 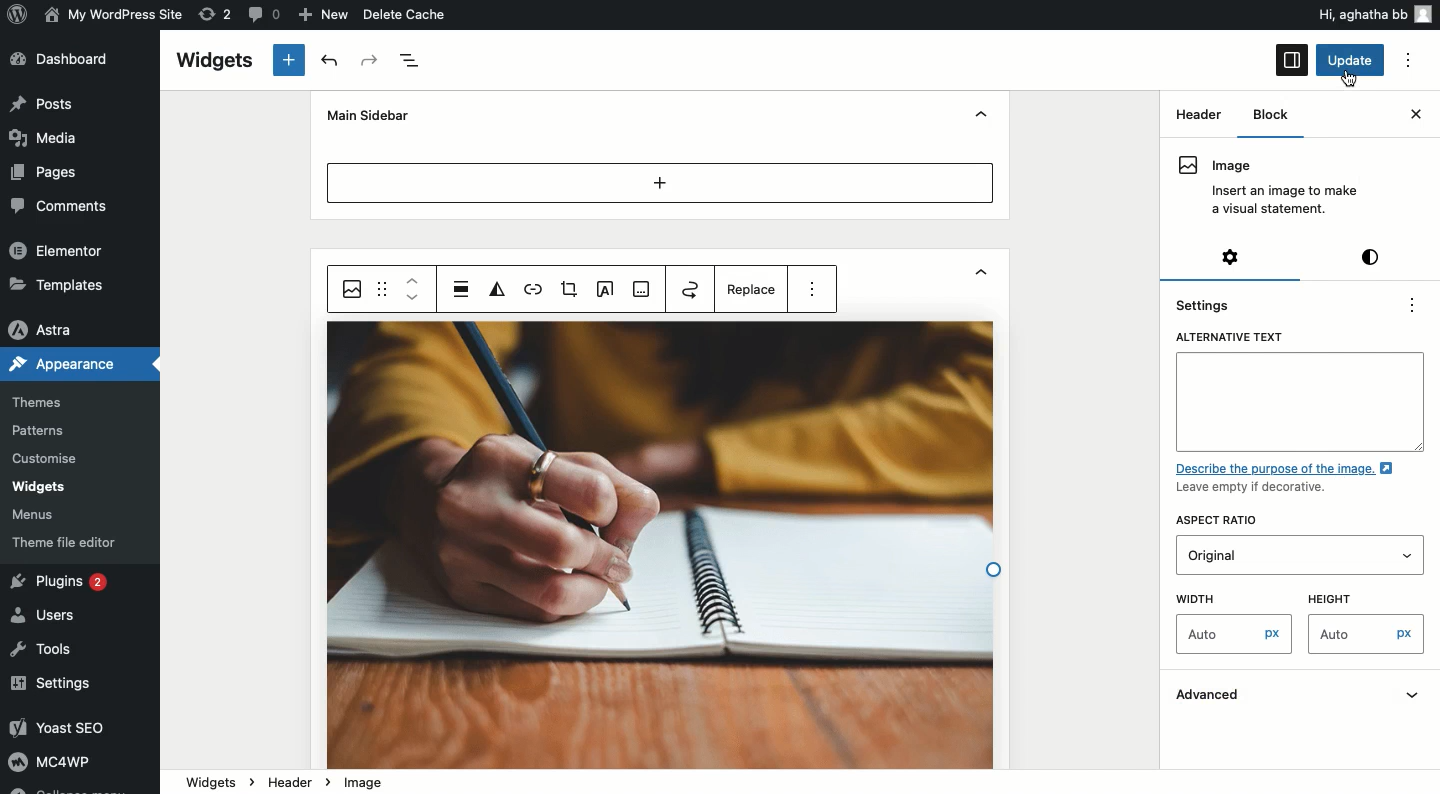 What do you see at coordinates (116, 13) in the screenshot?
I see `Name` at bounding box center [116, 13].